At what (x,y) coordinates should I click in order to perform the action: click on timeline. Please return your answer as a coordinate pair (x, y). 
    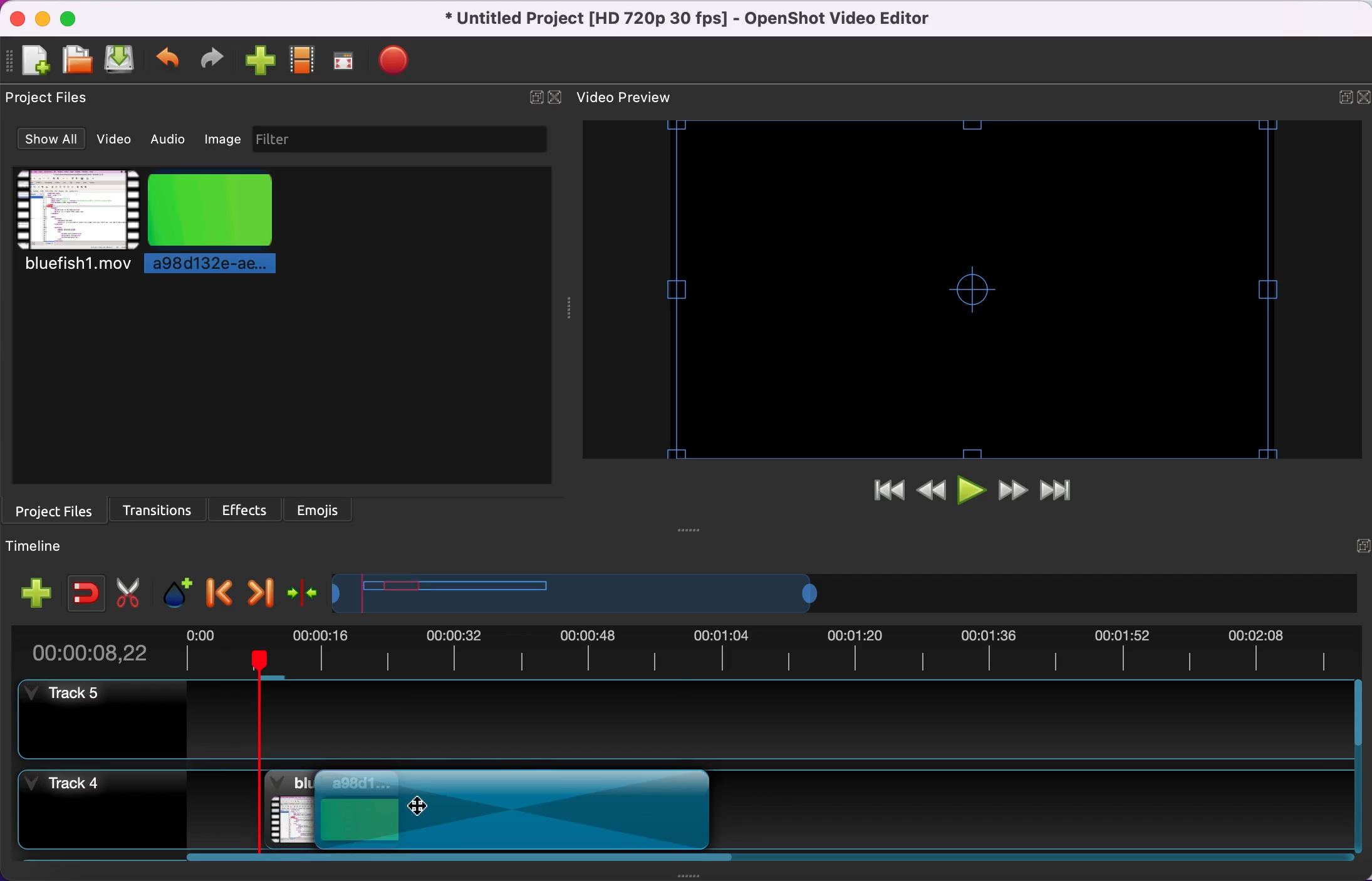
    Looking at the image, I should click on (46, 548).